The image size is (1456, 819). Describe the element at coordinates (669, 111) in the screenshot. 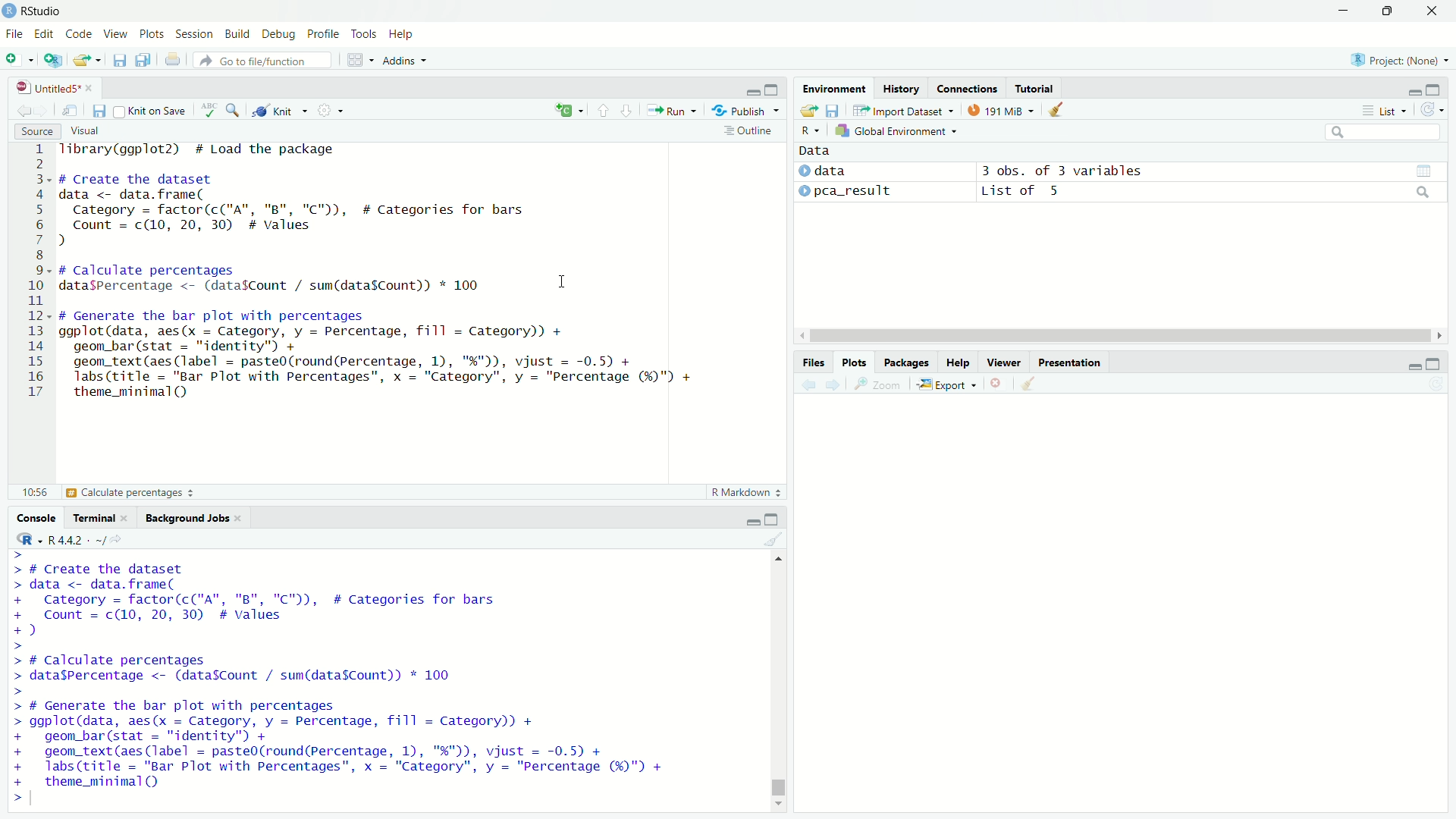

I see `run` at that location.